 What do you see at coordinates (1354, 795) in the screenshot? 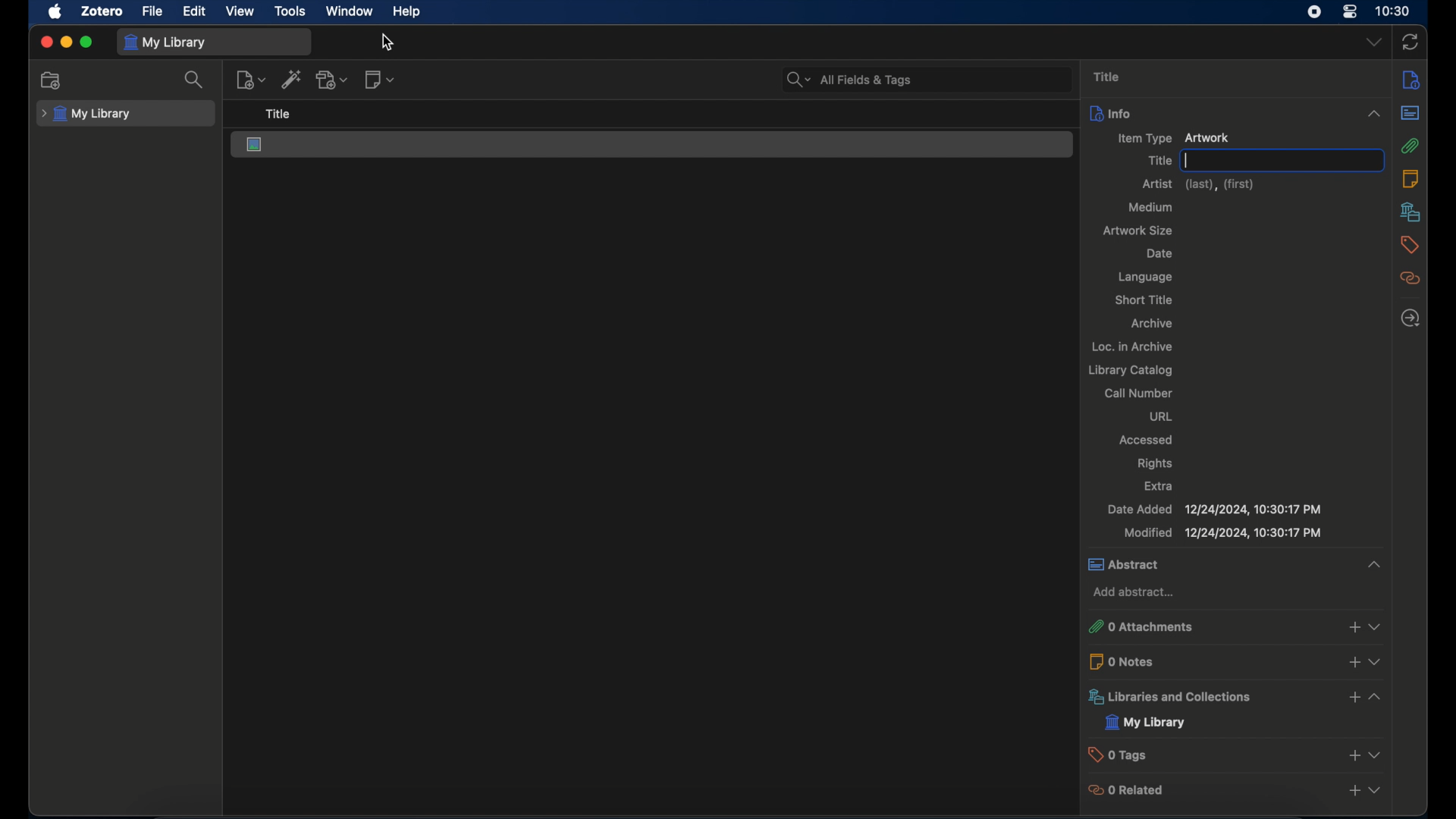
I see `add` at bounding box center [1354, 795].